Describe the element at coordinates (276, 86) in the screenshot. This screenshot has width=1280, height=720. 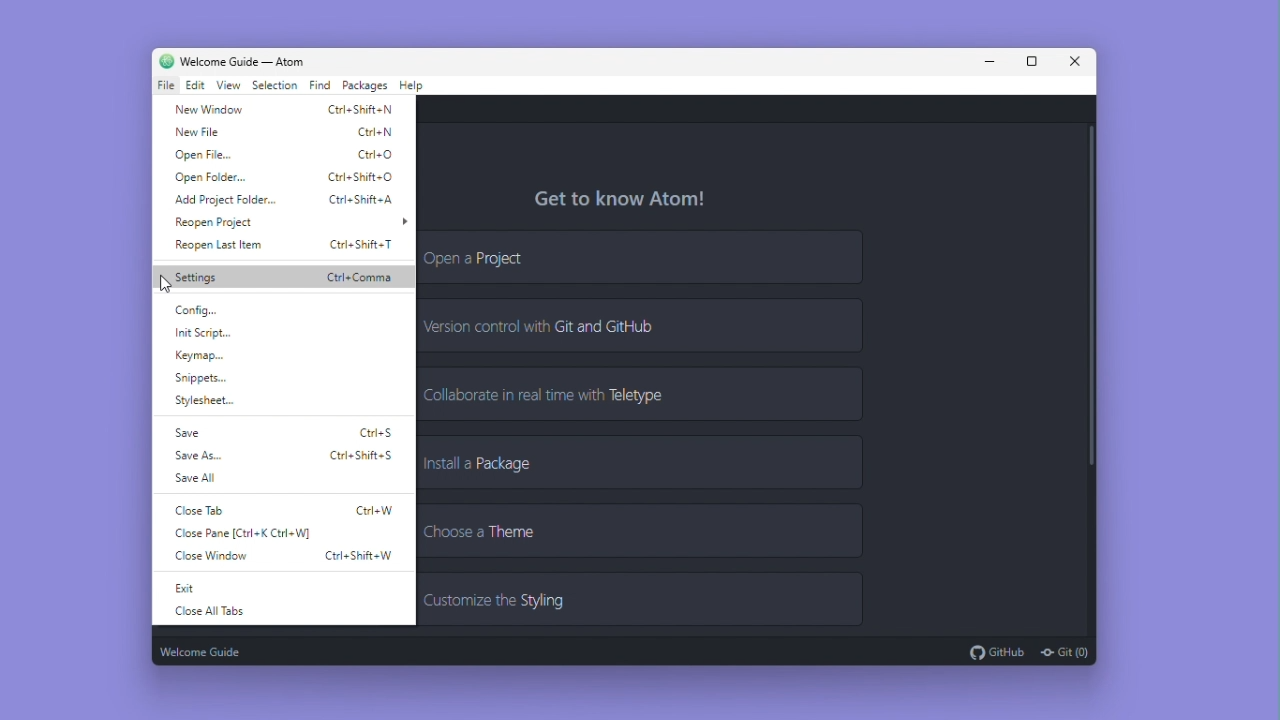
I see `Selection` at that location.